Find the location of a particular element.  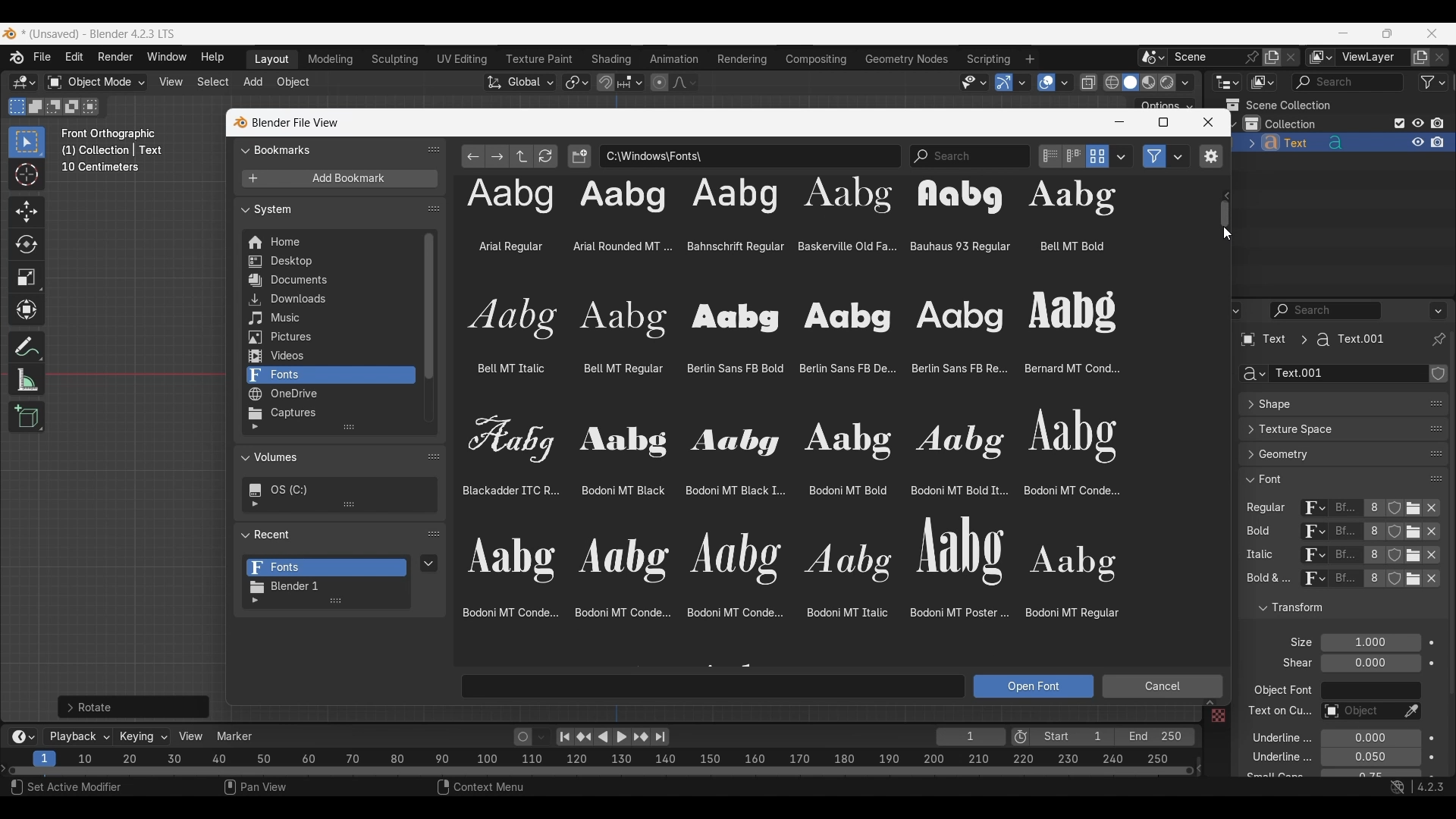

Recent items specials is located at coordinates (429, 563).